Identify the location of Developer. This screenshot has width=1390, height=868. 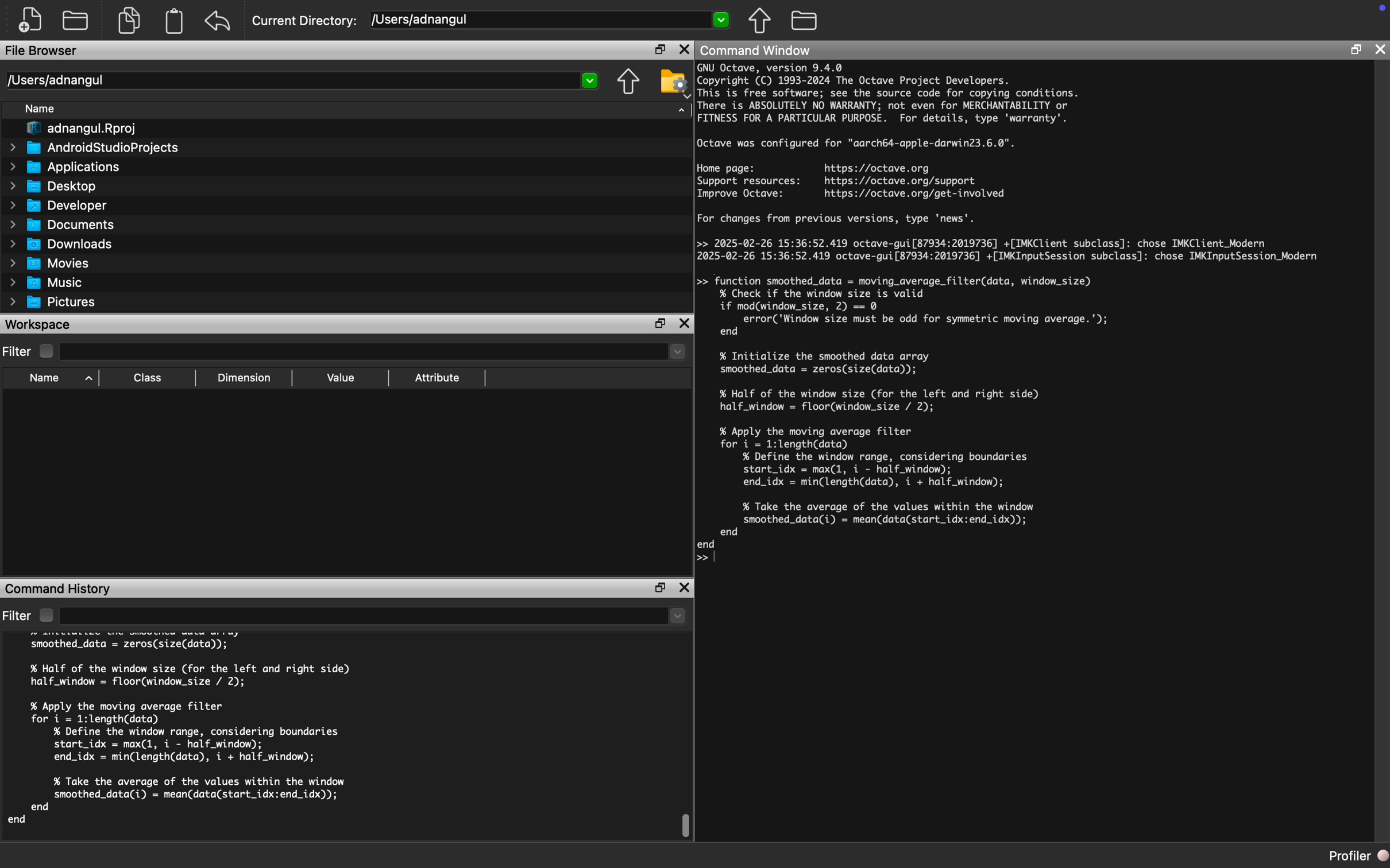
(57, 206).